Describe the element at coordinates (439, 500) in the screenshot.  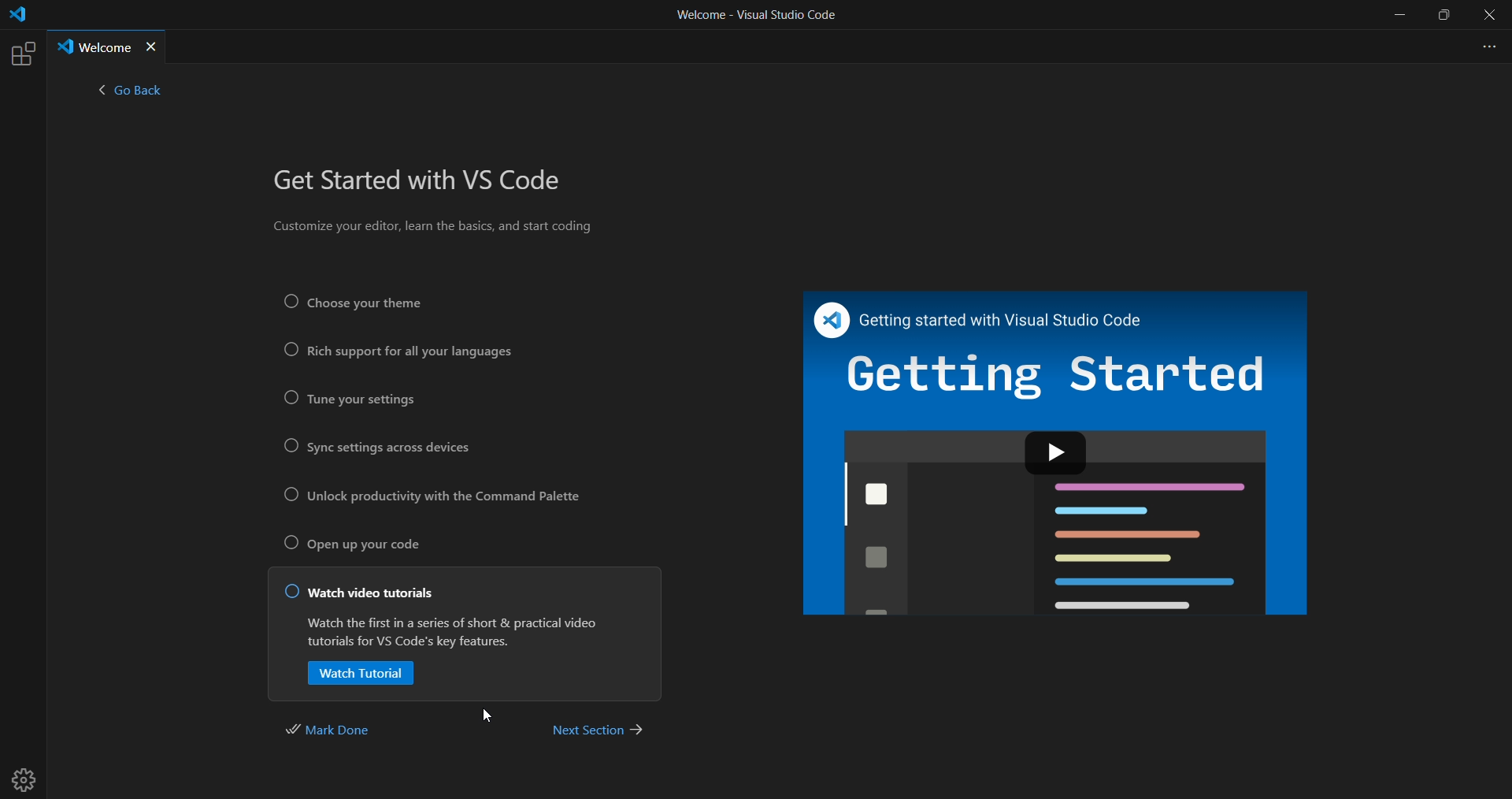
I see `unlock productivity with the command palette` at that location.